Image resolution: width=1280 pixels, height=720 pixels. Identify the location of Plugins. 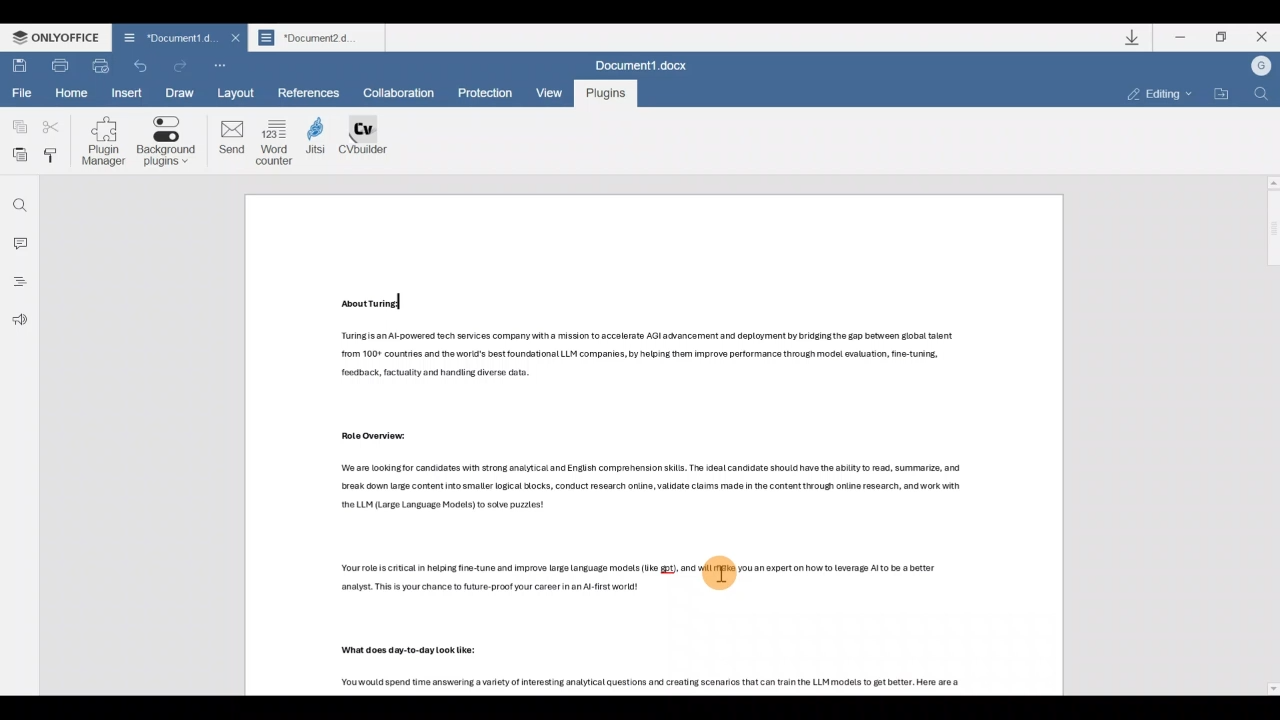
(606, 93).